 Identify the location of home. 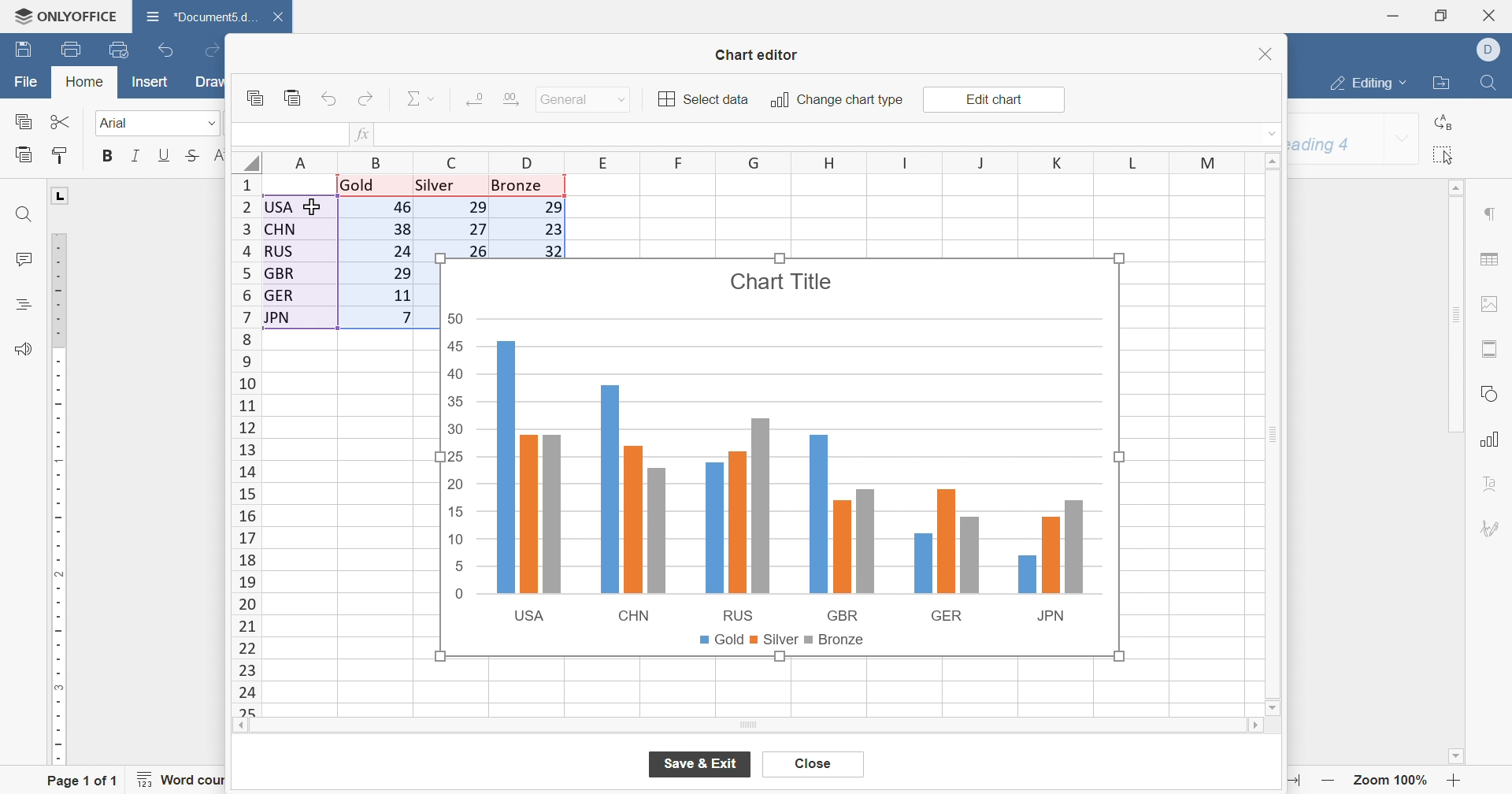
(85, 80).